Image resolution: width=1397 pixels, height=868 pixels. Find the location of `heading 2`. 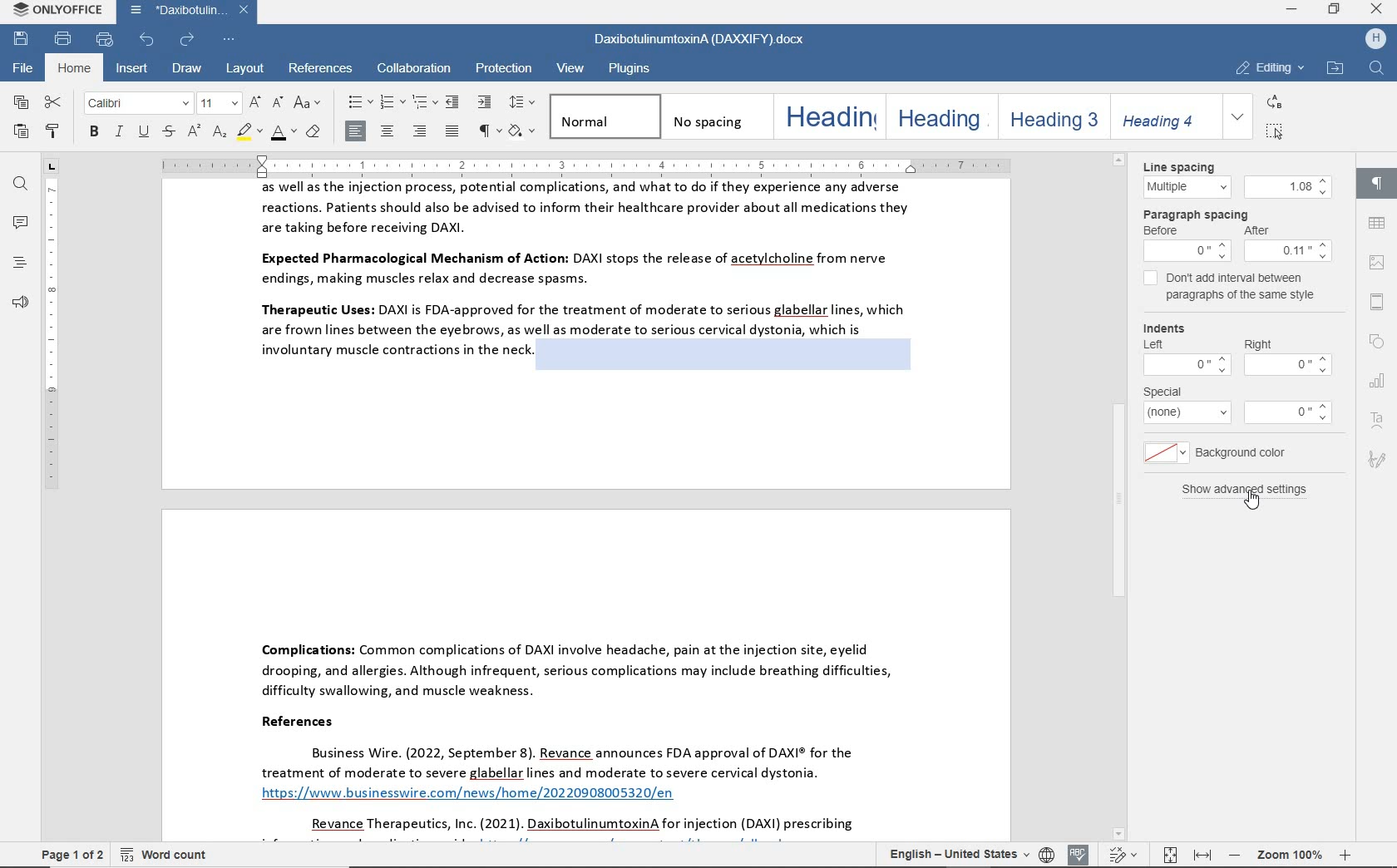

heading 2 is located at coordinates (938, 116).